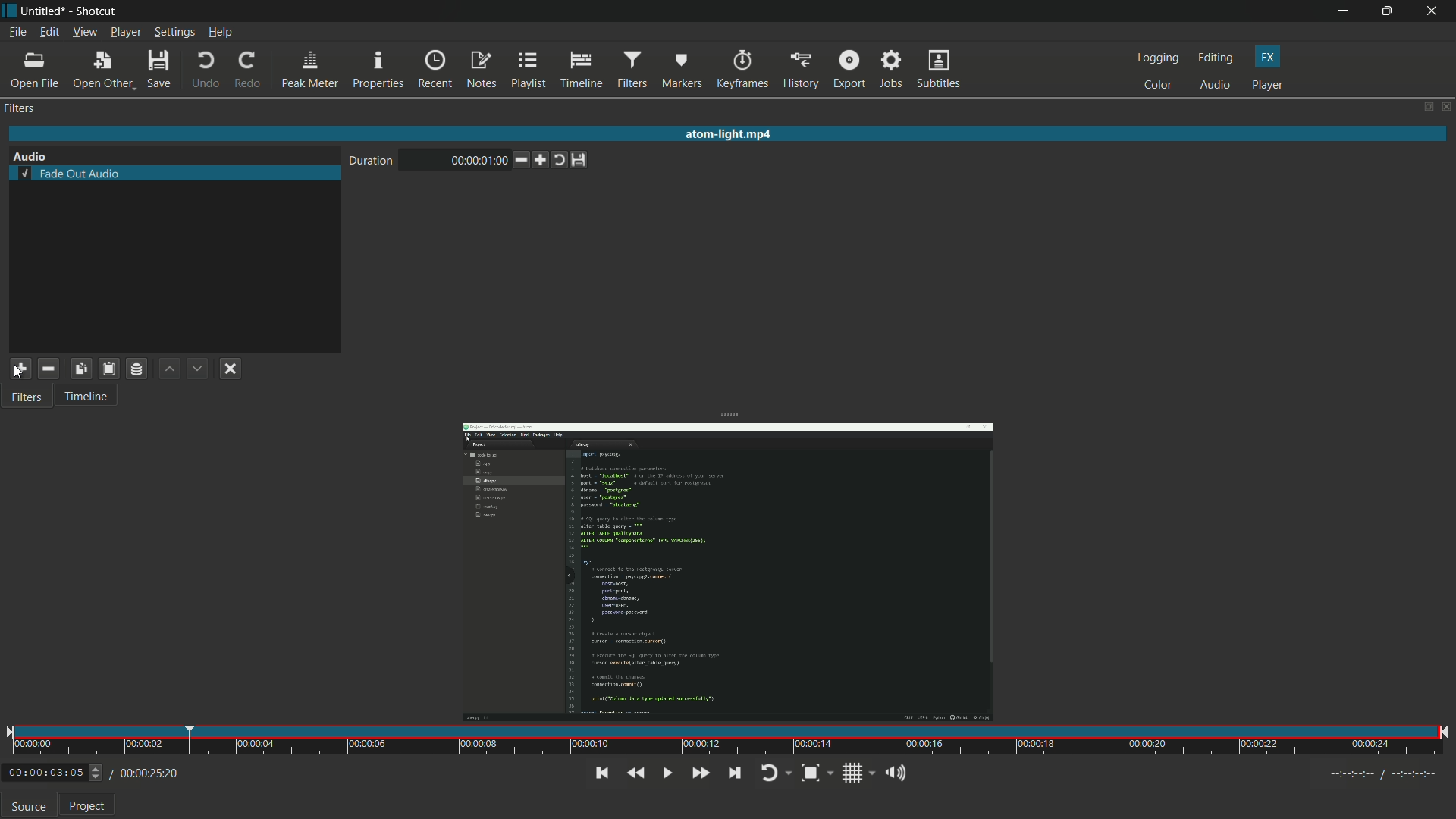 This screenshot has width=1456, height=819. Describe the element at coordinates (103, 71) in the screenshot. I see `open other` at that location.